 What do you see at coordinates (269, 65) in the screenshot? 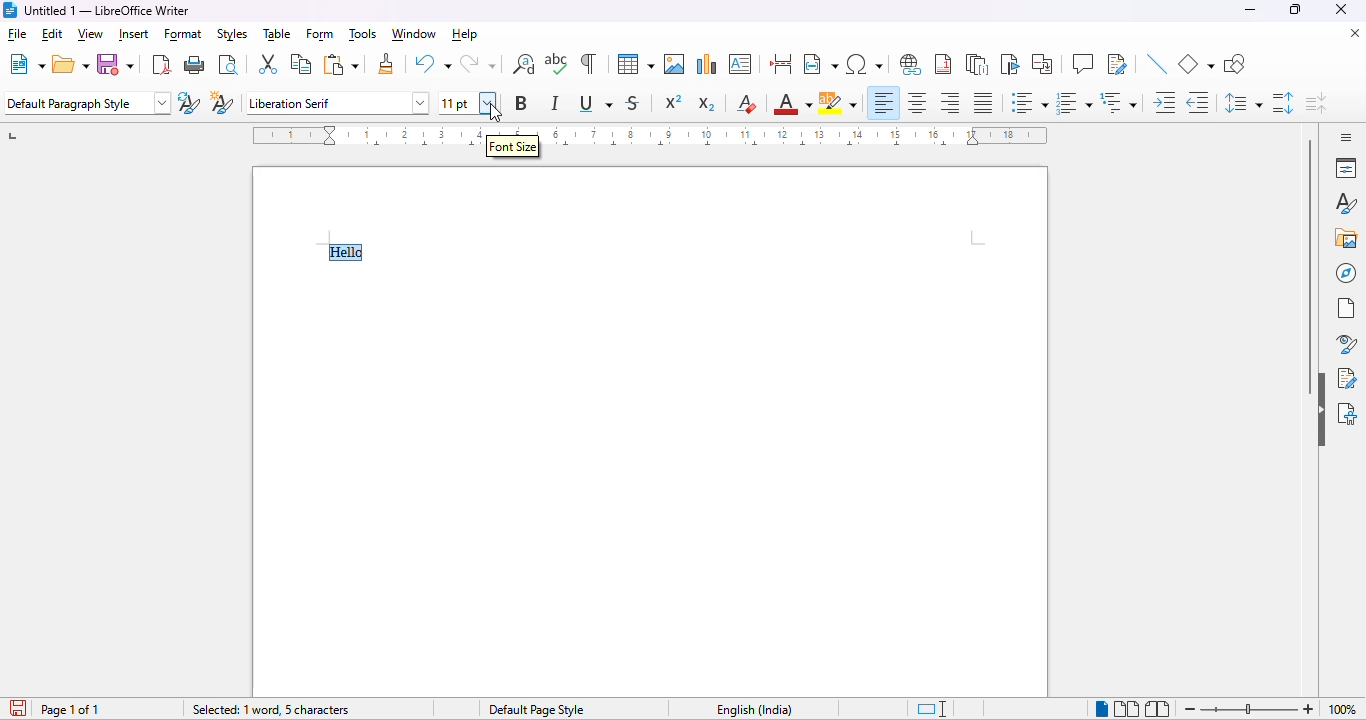
I see `cut` at bounding box center [269, 65].